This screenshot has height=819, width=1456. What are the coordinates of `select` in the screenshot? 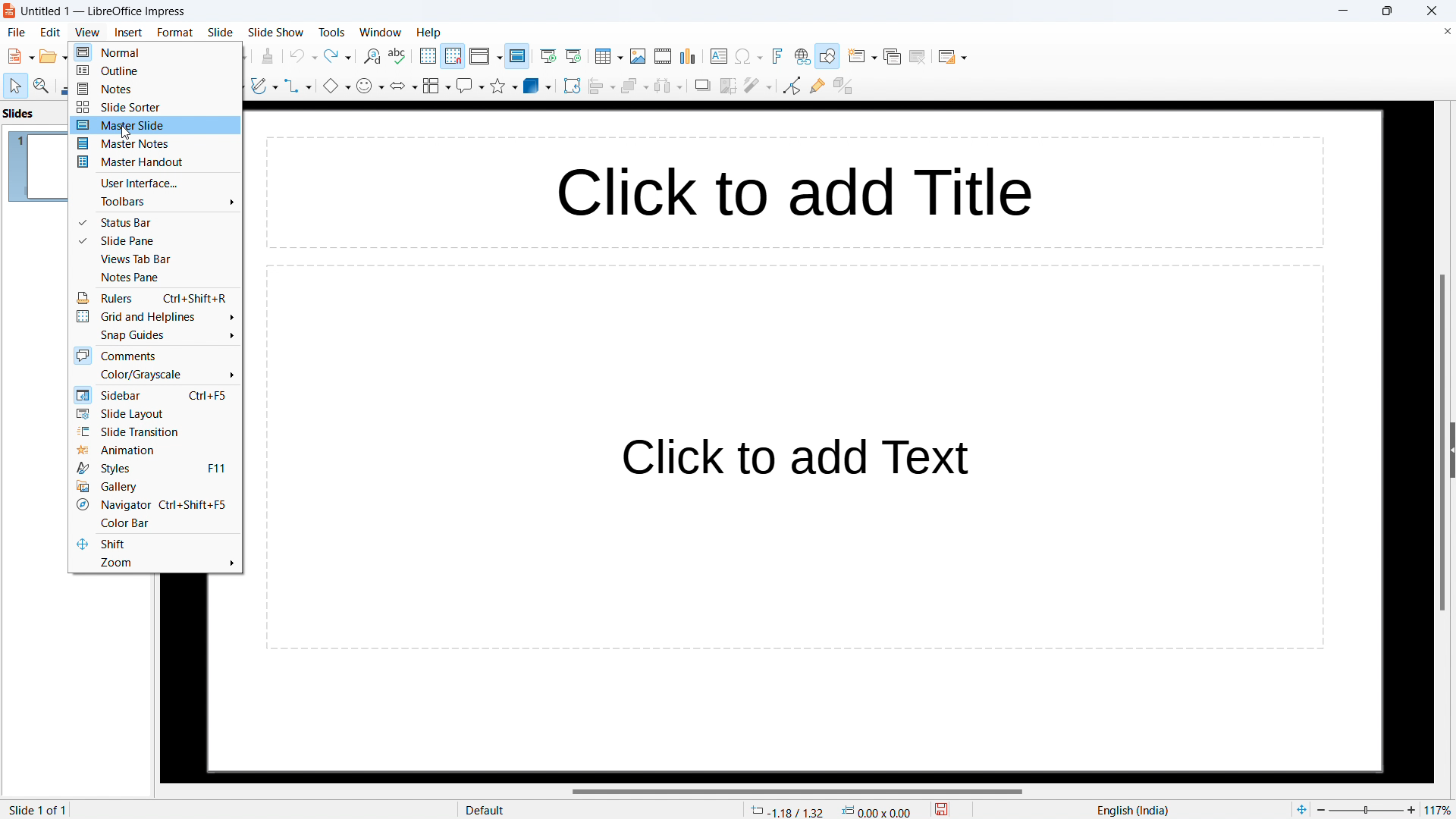 It's located at (17, 86).